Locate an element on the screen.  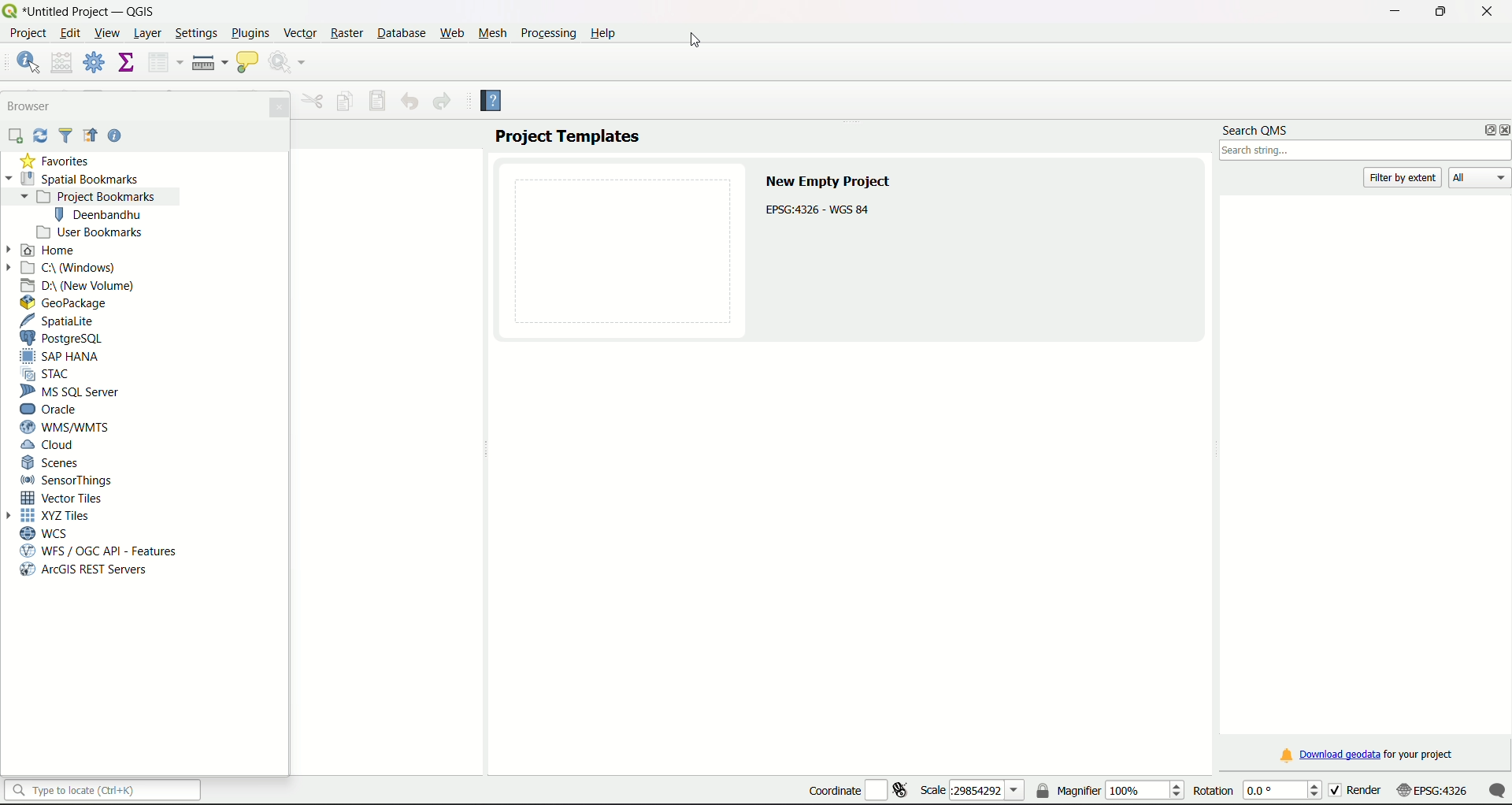
options is located at coordinates (1484, 130).